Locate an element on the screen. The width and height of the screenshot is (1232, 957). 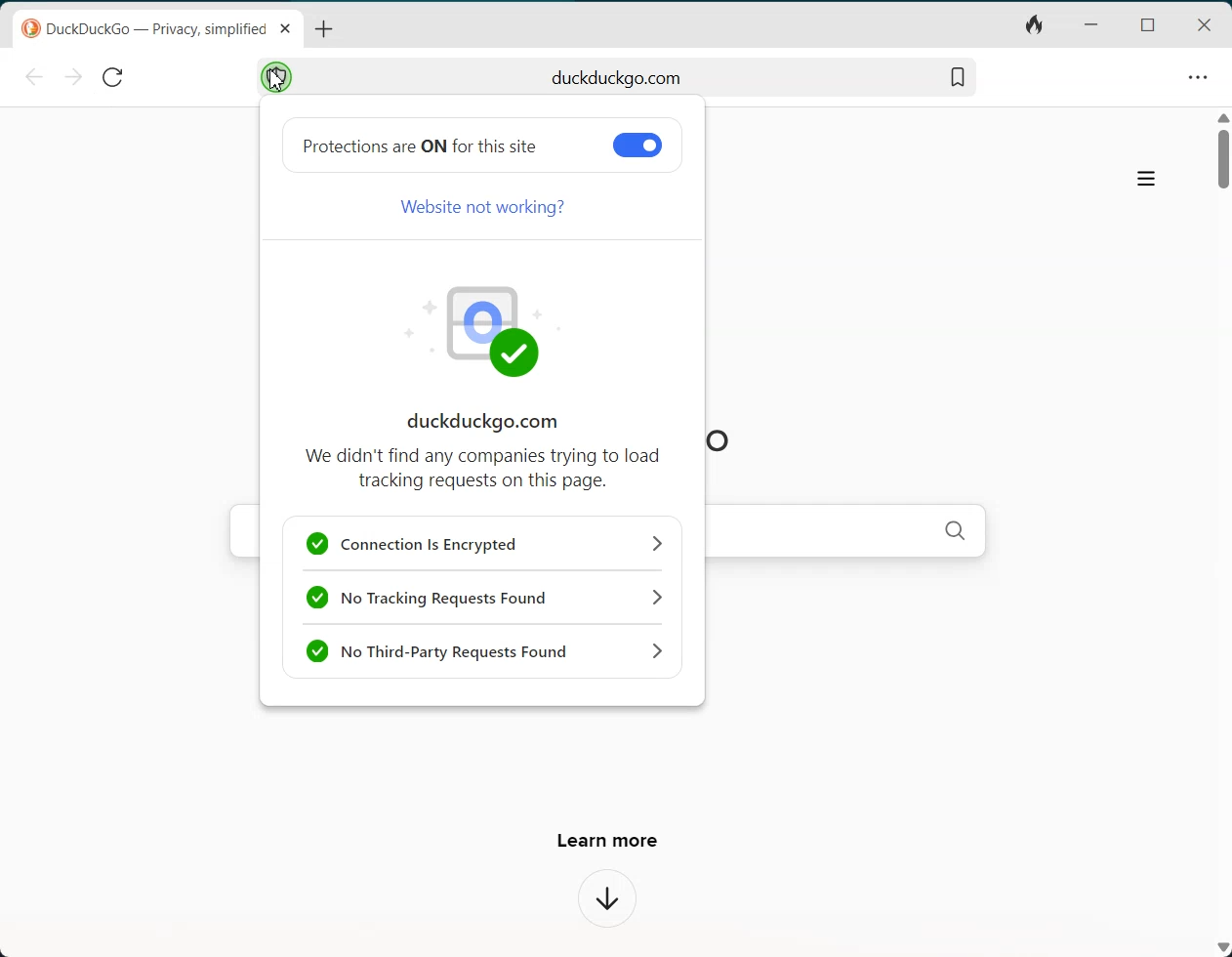
Forward is located at coordinates (71, 77).